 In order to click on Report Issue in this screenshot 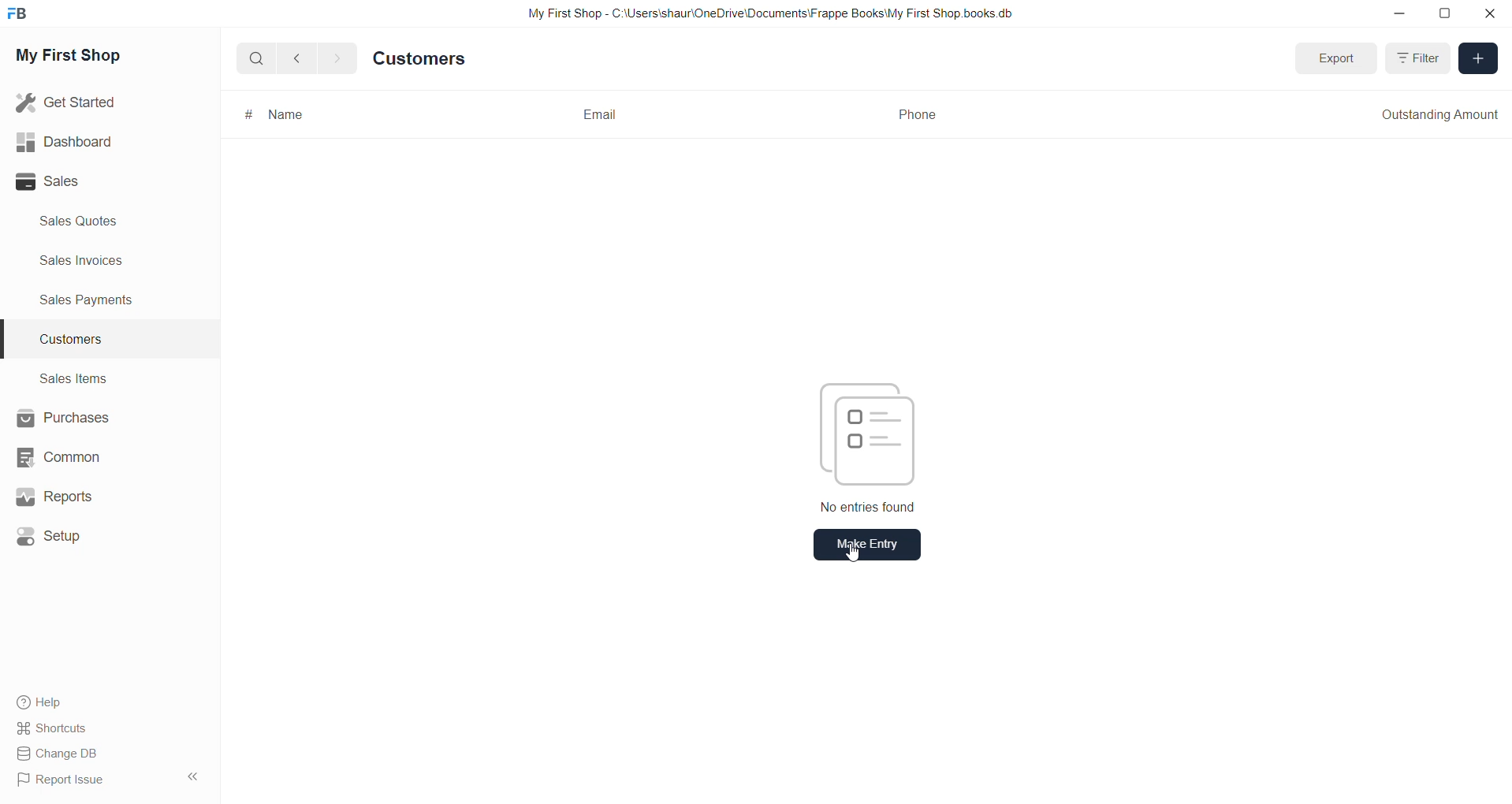, I will do `click(61, 779)`.